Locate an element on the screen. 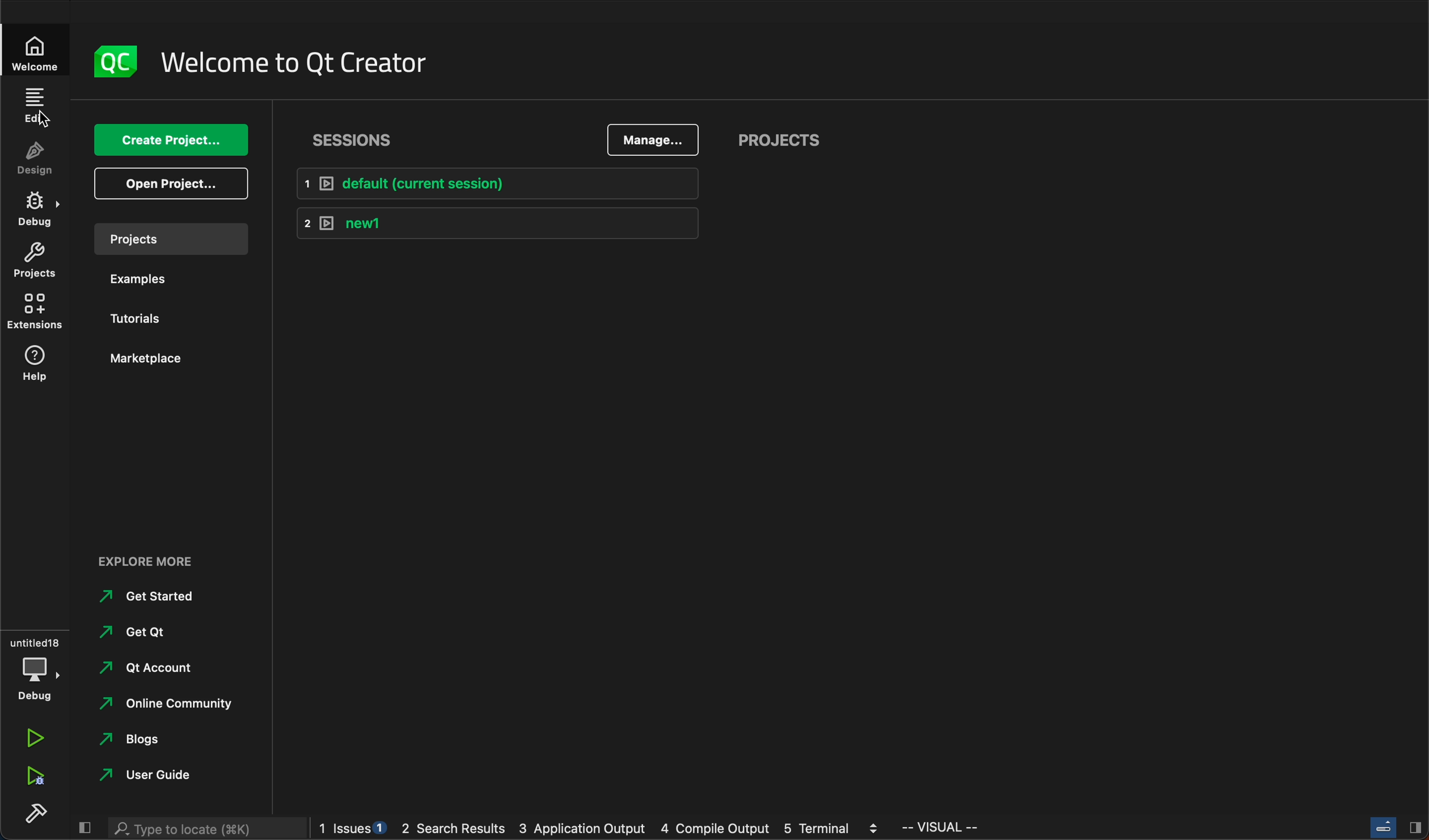  get qt is located at coordinates (153, 633).